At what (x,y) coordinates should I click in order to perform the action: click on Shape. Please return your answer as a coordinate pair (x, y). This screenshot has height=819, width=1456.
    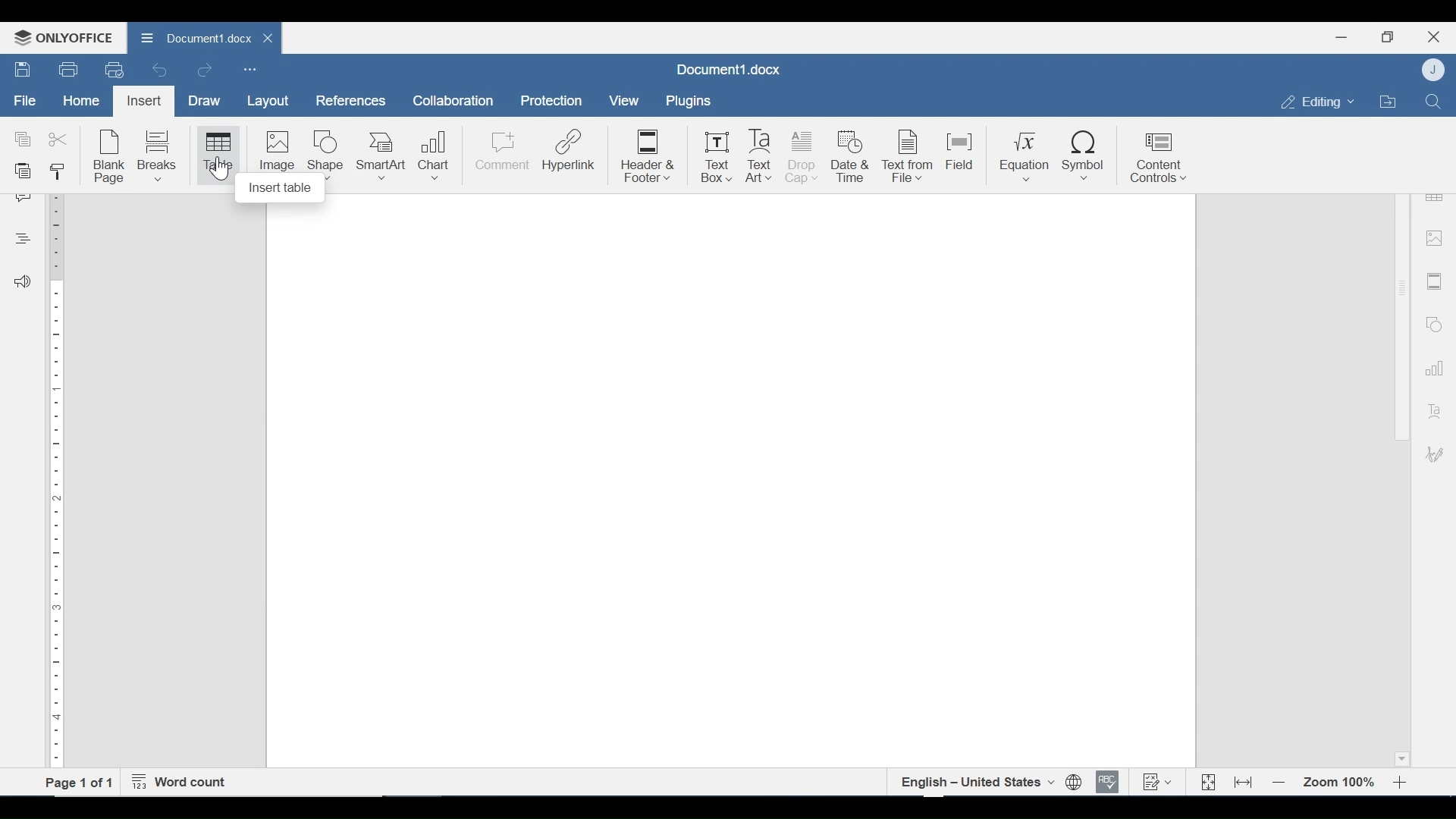
    Looking at the image, I should click on (325, 152).